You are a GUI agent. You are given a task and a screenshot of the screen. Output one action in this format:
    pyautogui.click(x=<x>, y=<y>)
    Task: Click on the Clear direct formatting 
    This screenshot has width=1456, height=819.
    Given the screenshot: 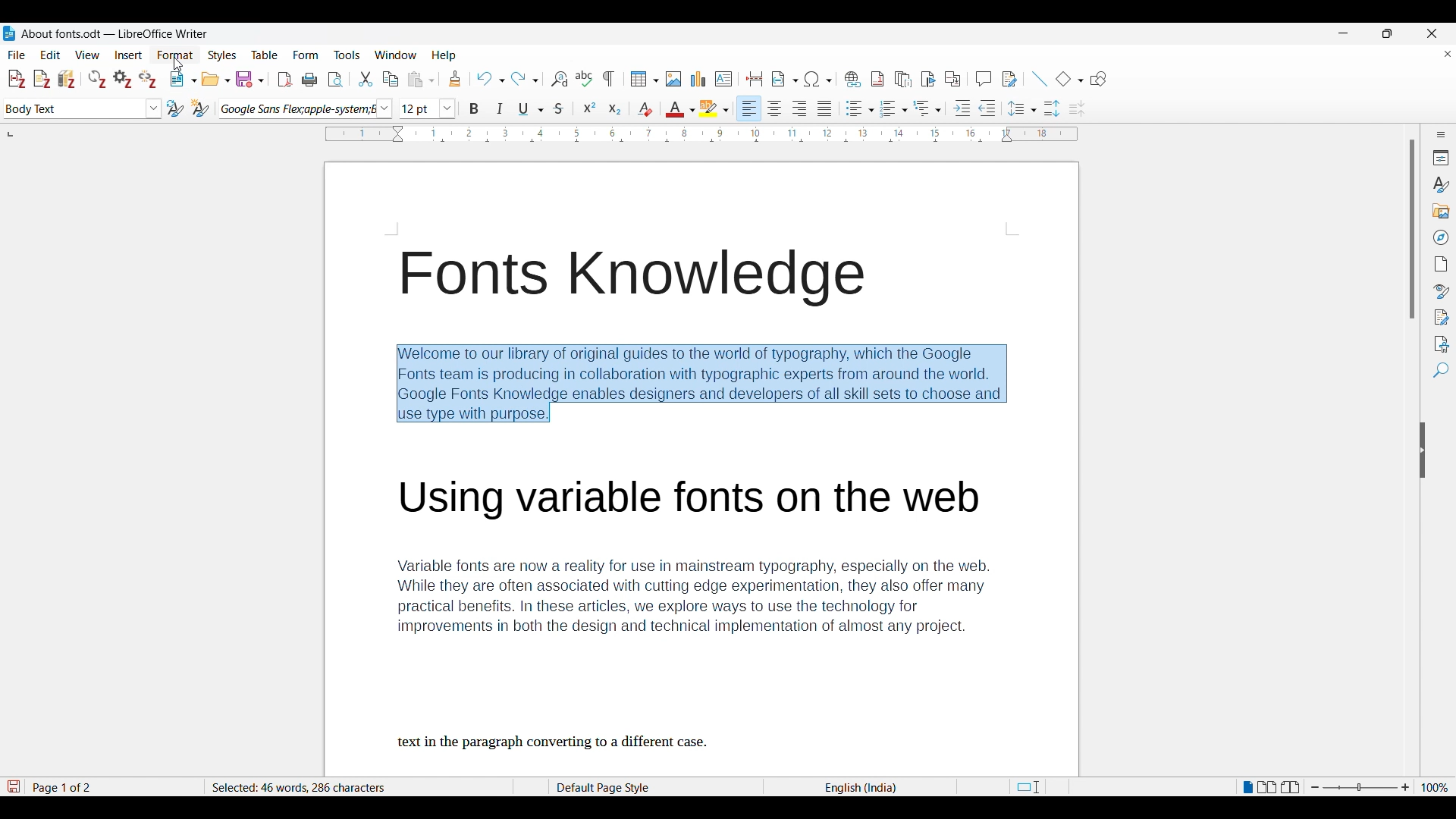 What is the action you would take?
    pyautogui.click(x=645, y=109)
    